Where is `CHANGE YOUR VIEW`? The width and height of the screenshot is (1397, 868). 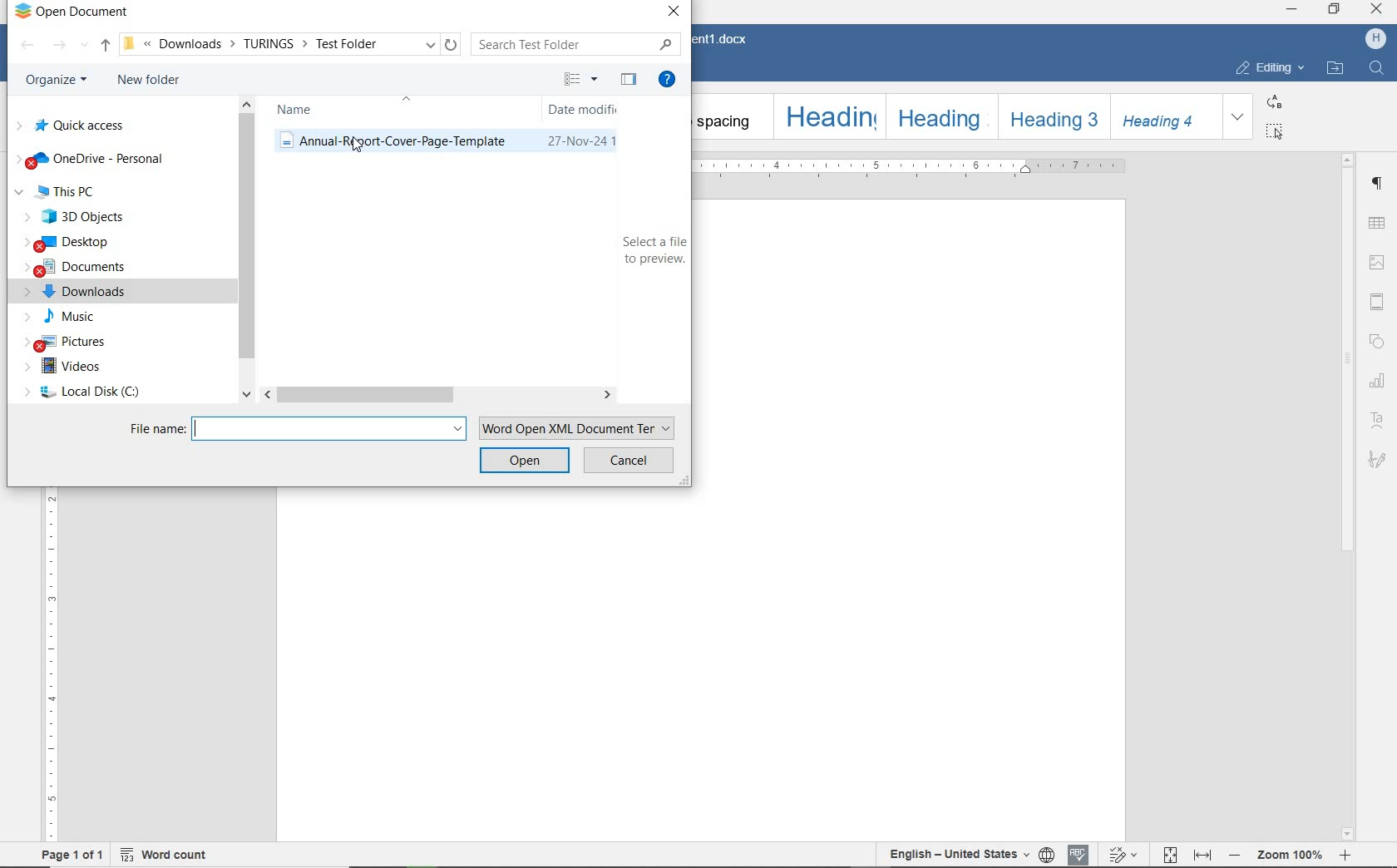
CHANGE YOUR VIEW is located at coordinates (579, 79).